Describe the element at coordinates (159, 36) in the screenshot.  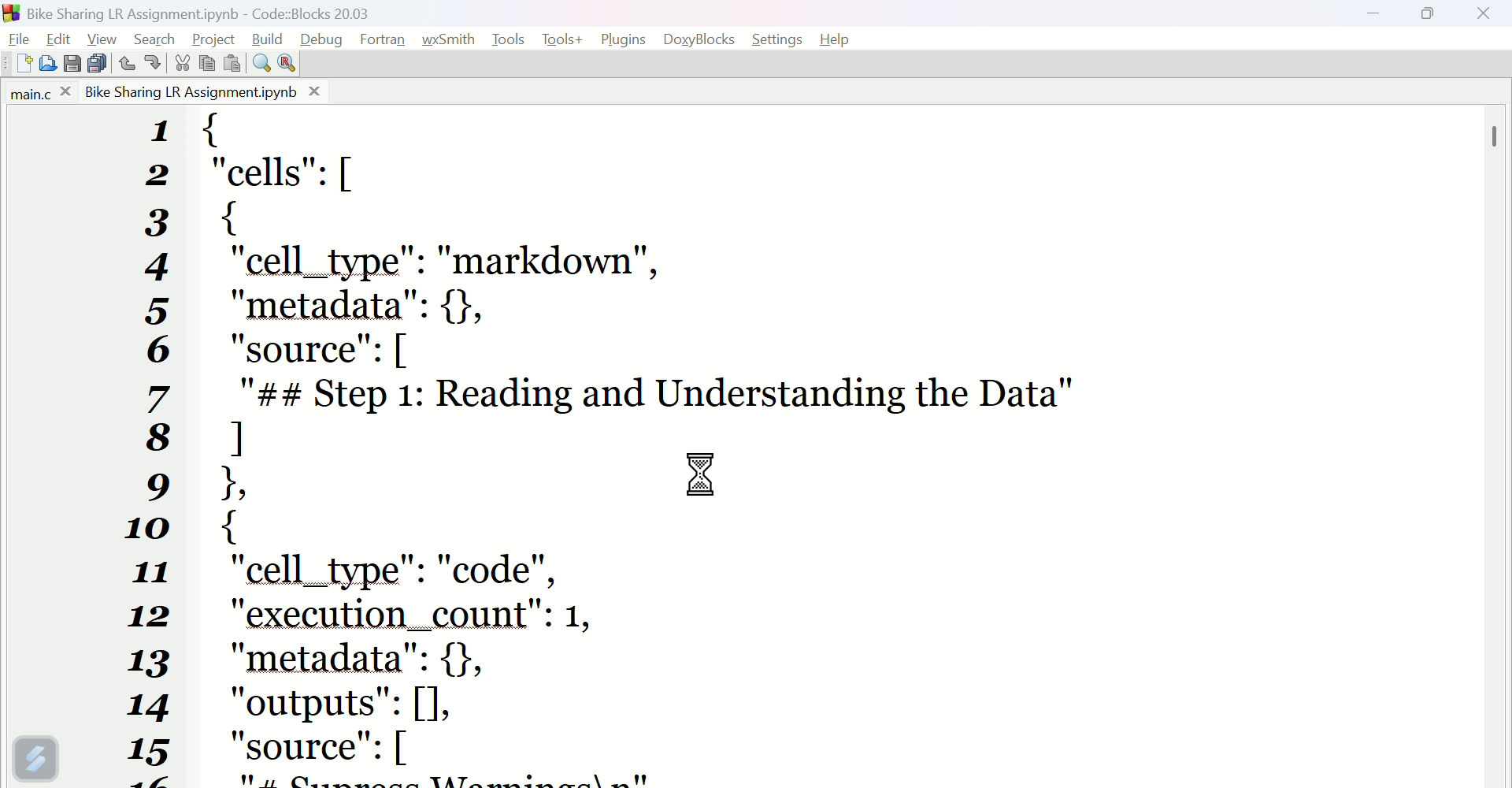
I see `Search` at that location.